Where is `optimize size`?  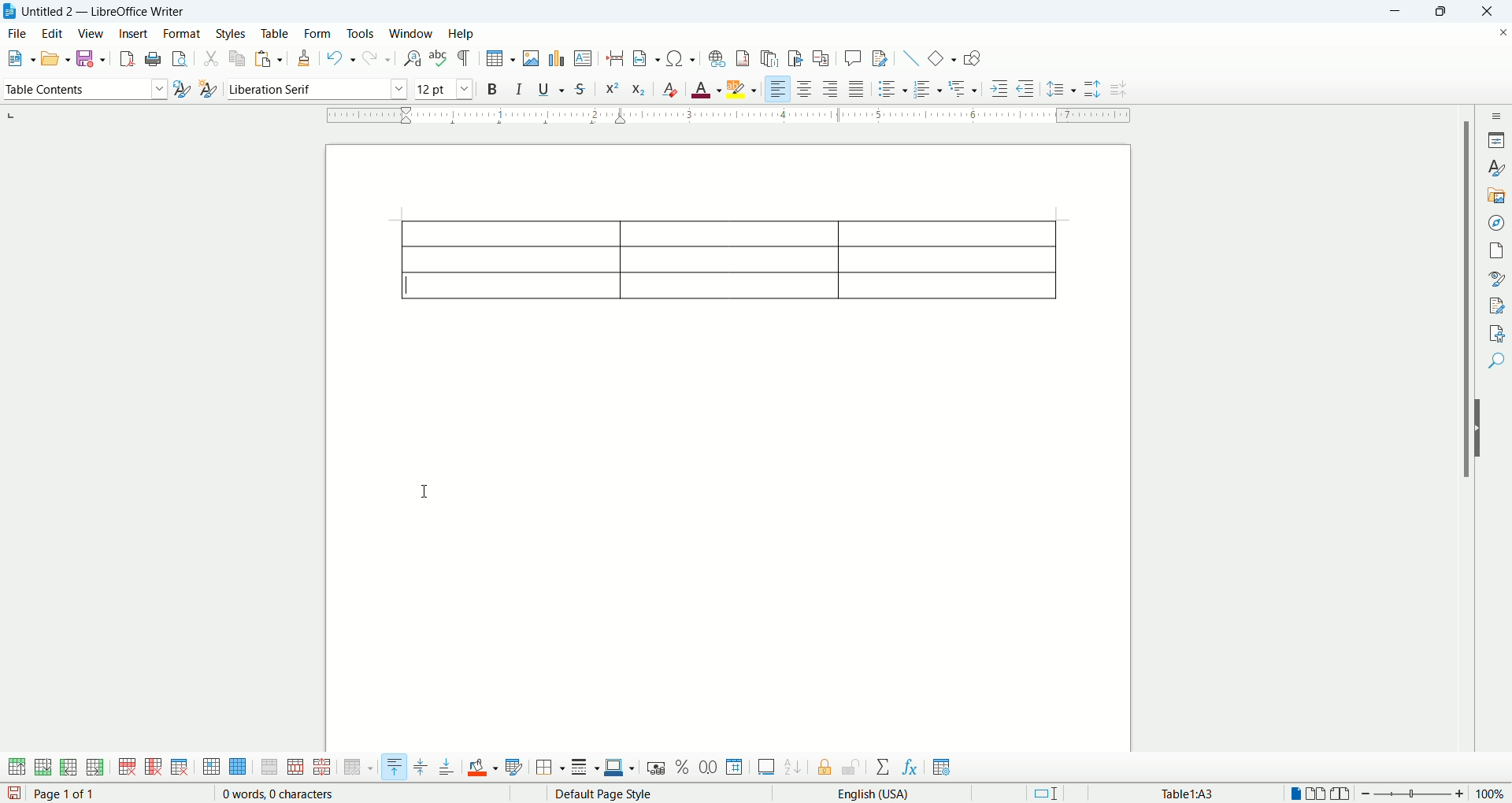 optimize size is located at coordinates (359, 768).